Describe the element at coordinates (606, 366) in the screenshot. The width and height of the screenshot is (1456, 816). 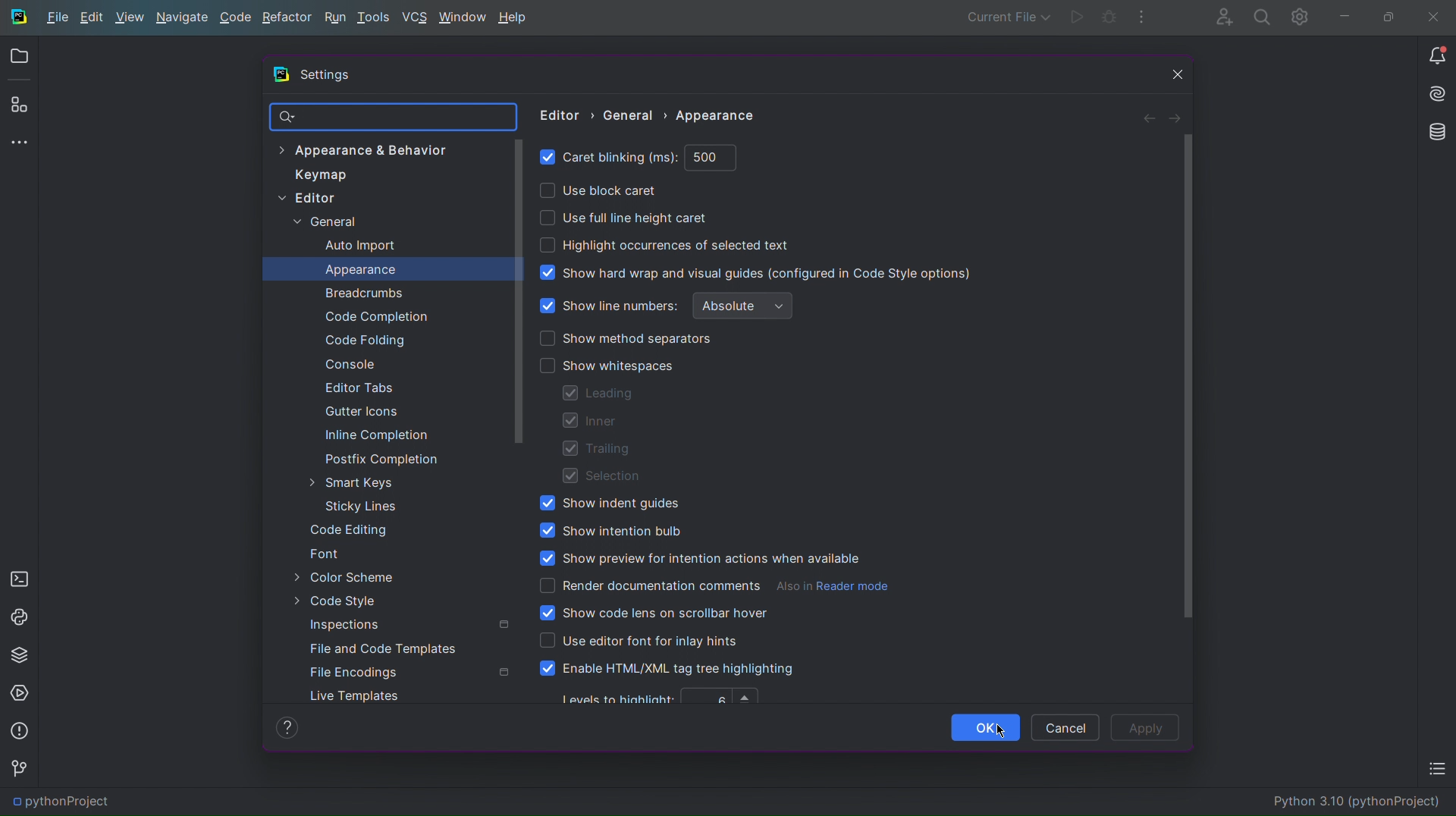
I see `Show whitespaces` at that location.